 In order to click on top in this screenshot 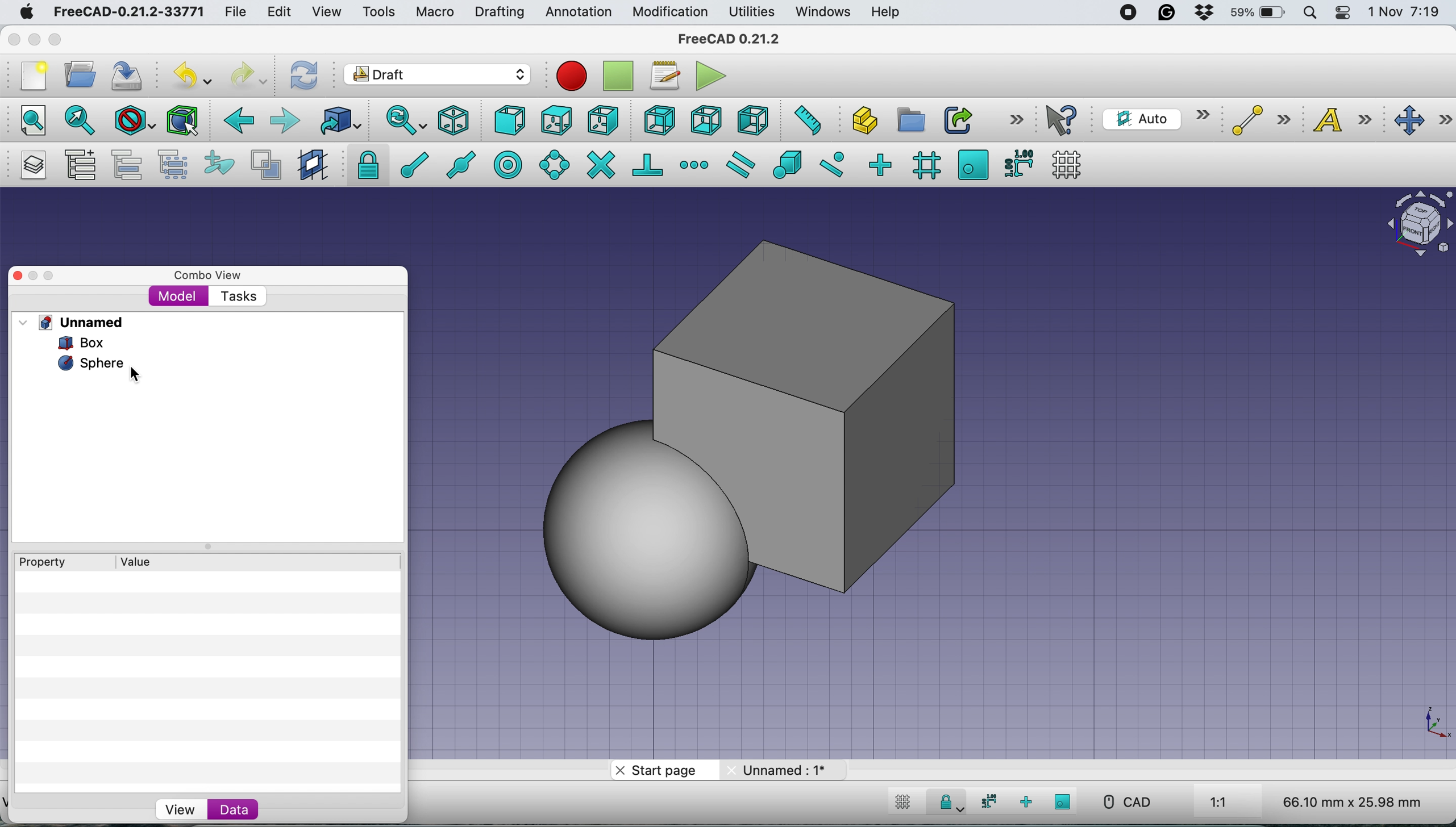, I will do `click(556, 119)`.